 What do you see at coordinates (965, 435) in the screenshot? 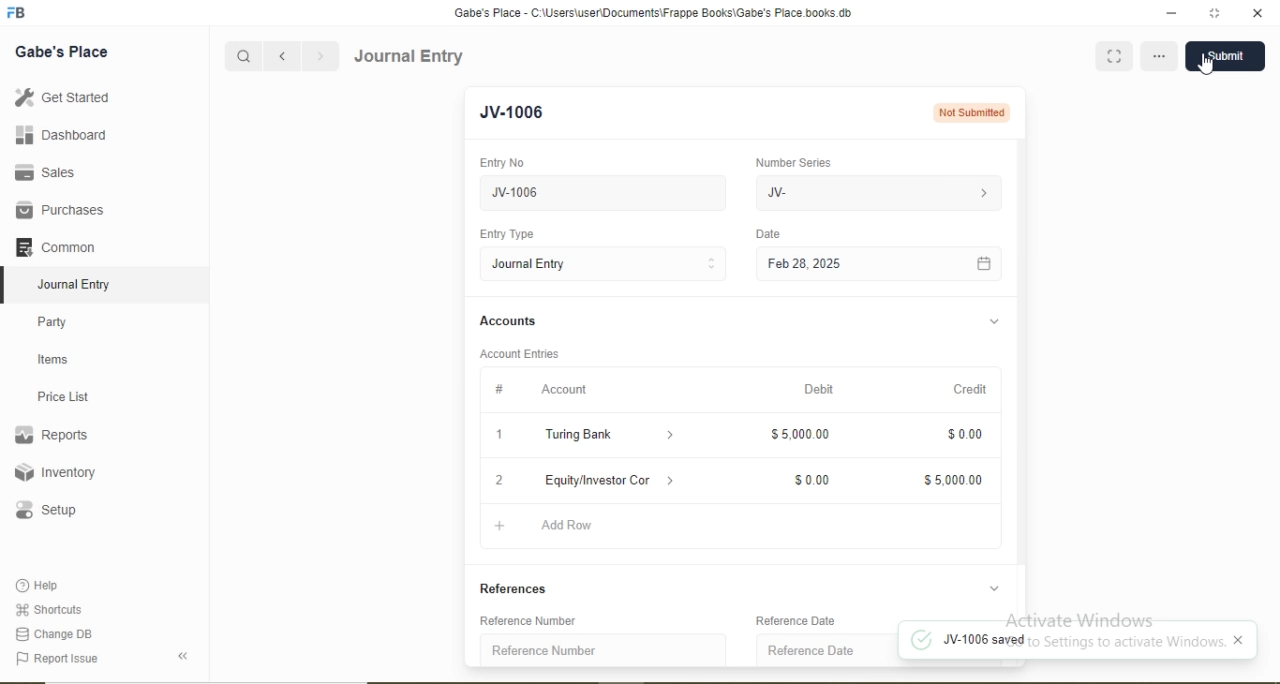
I see `$0.00` at bounding box center [965, 435].